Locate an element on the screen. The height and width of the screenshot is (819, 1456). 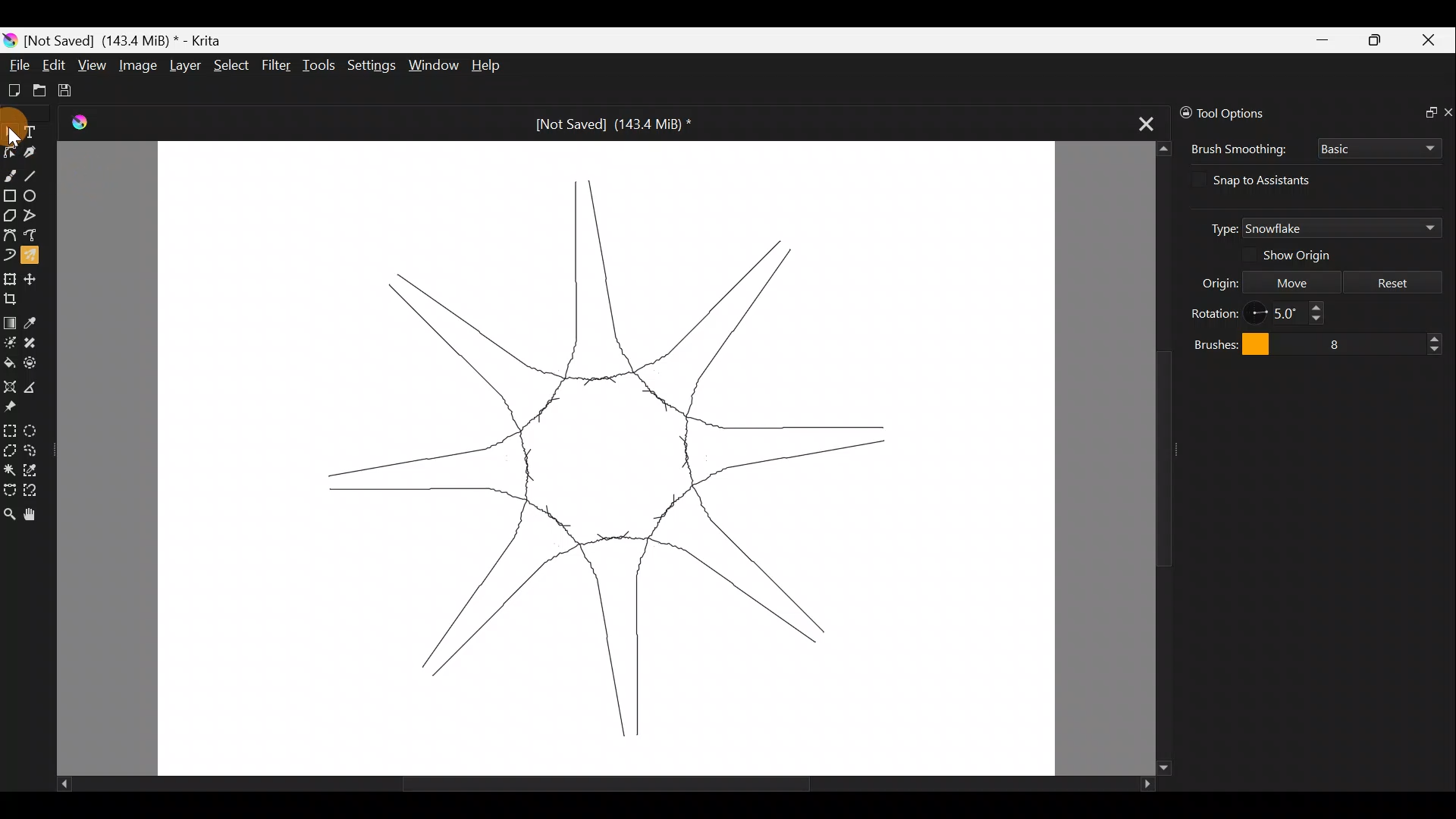
Float docker is located at coordinates (1424, 110).